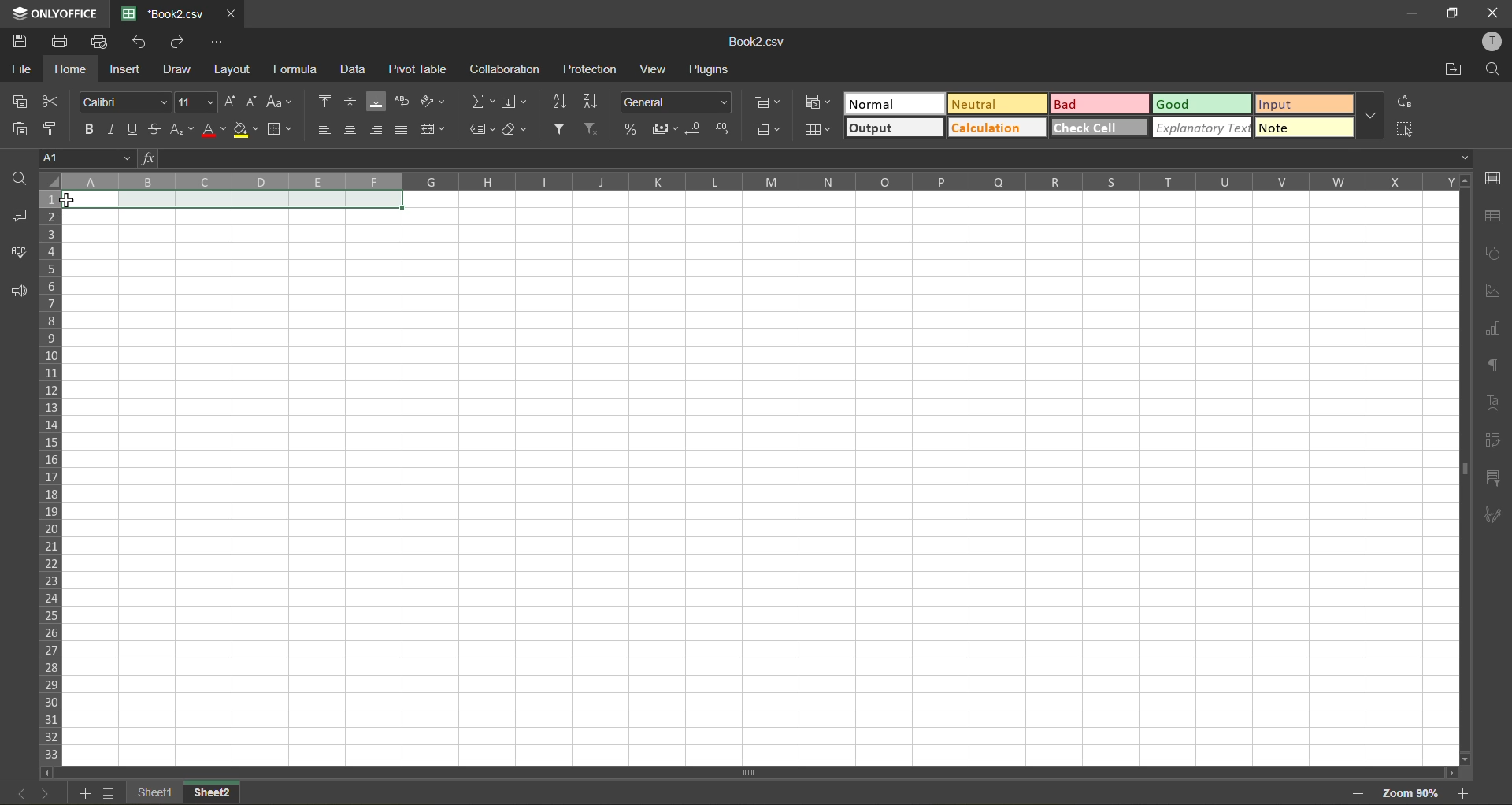  Describe the element at coordinates (1410, 12) in the screenshot. I see `minimize` at that location.